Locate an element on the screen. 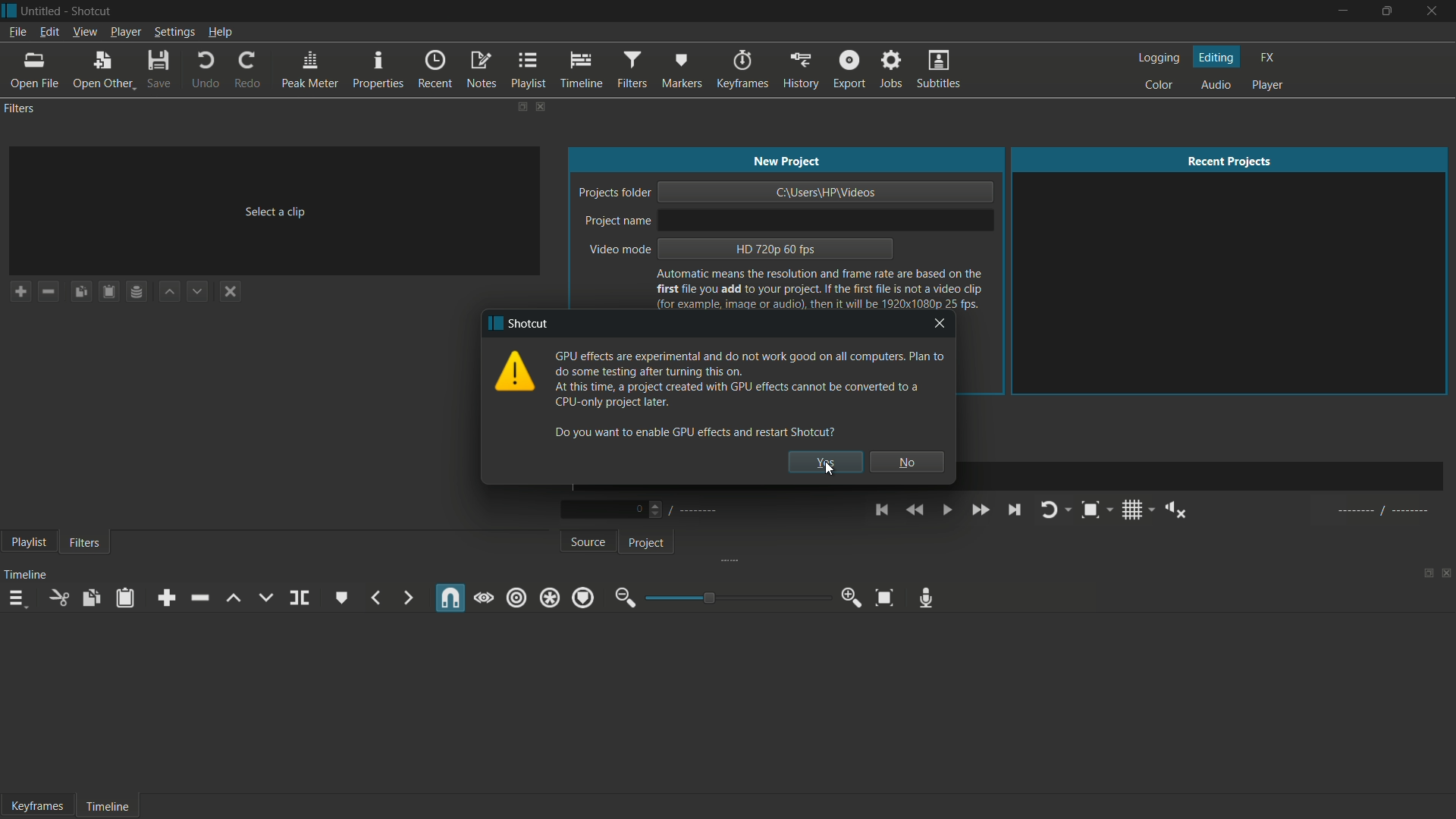 Image resolution: width=1456 pixels, height=819 pixels. lift is located at coordinates (231, 598).